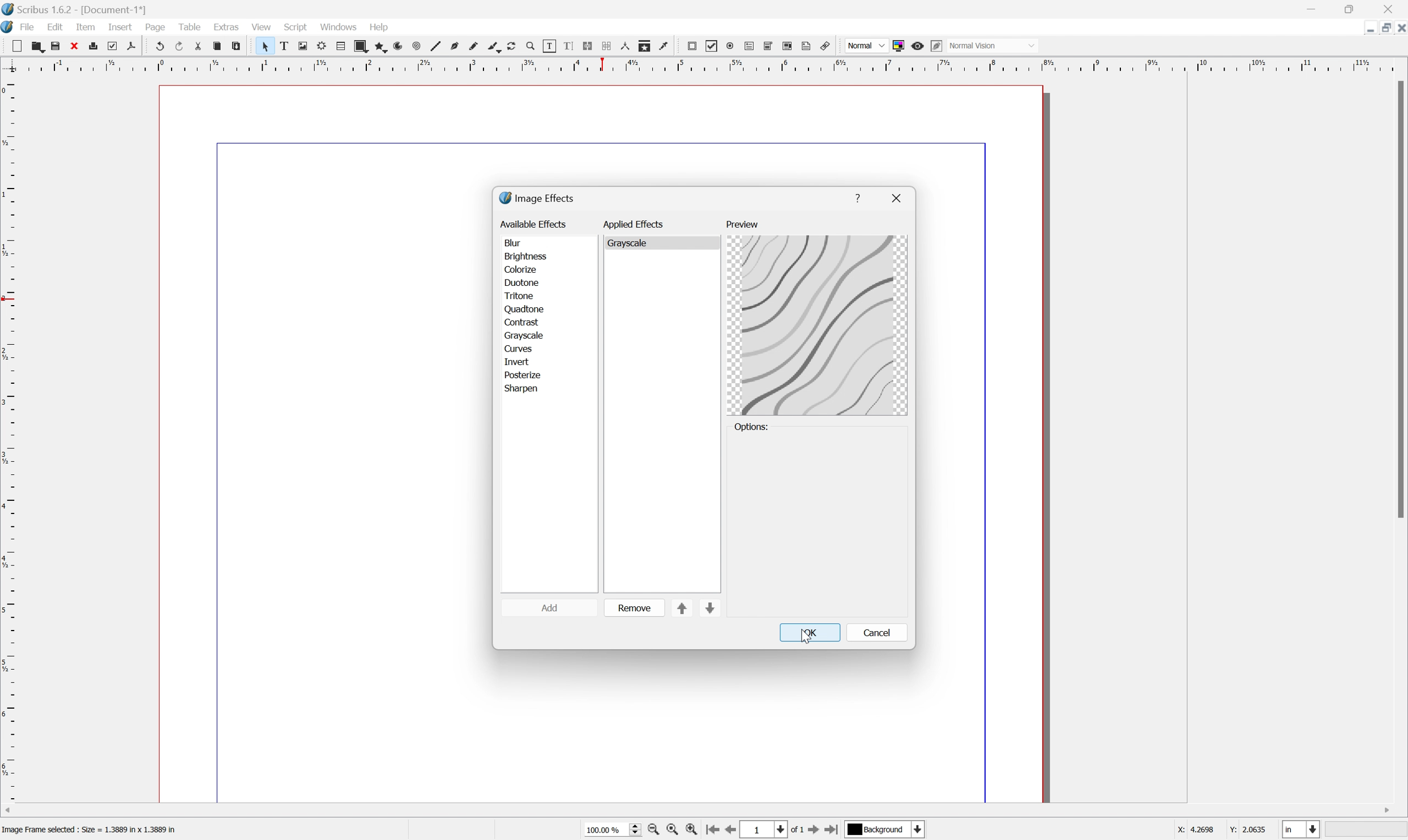 This screenshot has width=1408, height=840. I want to click on Link annotation, so click(823, 46).